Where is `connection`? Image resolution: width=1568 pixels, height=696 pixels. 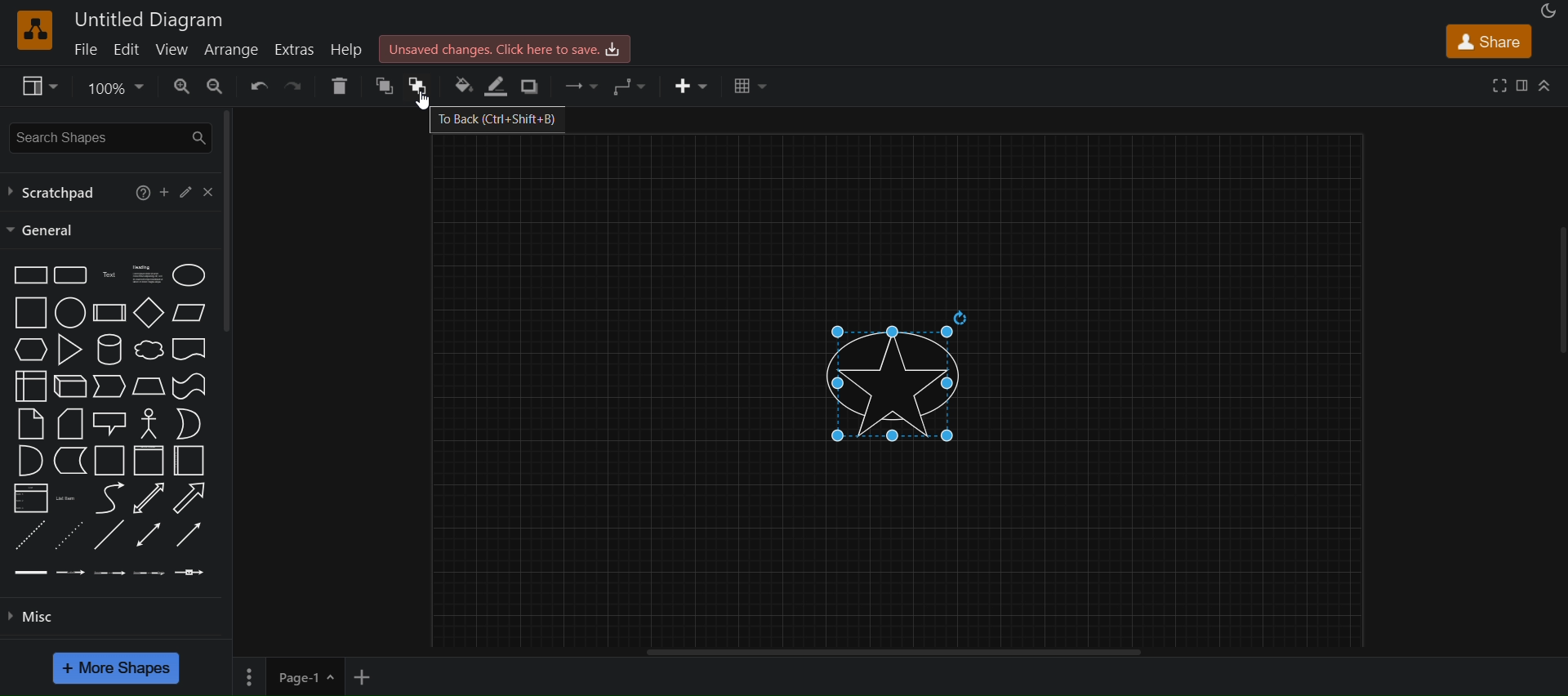 connection is located at coordinates (581, 87).